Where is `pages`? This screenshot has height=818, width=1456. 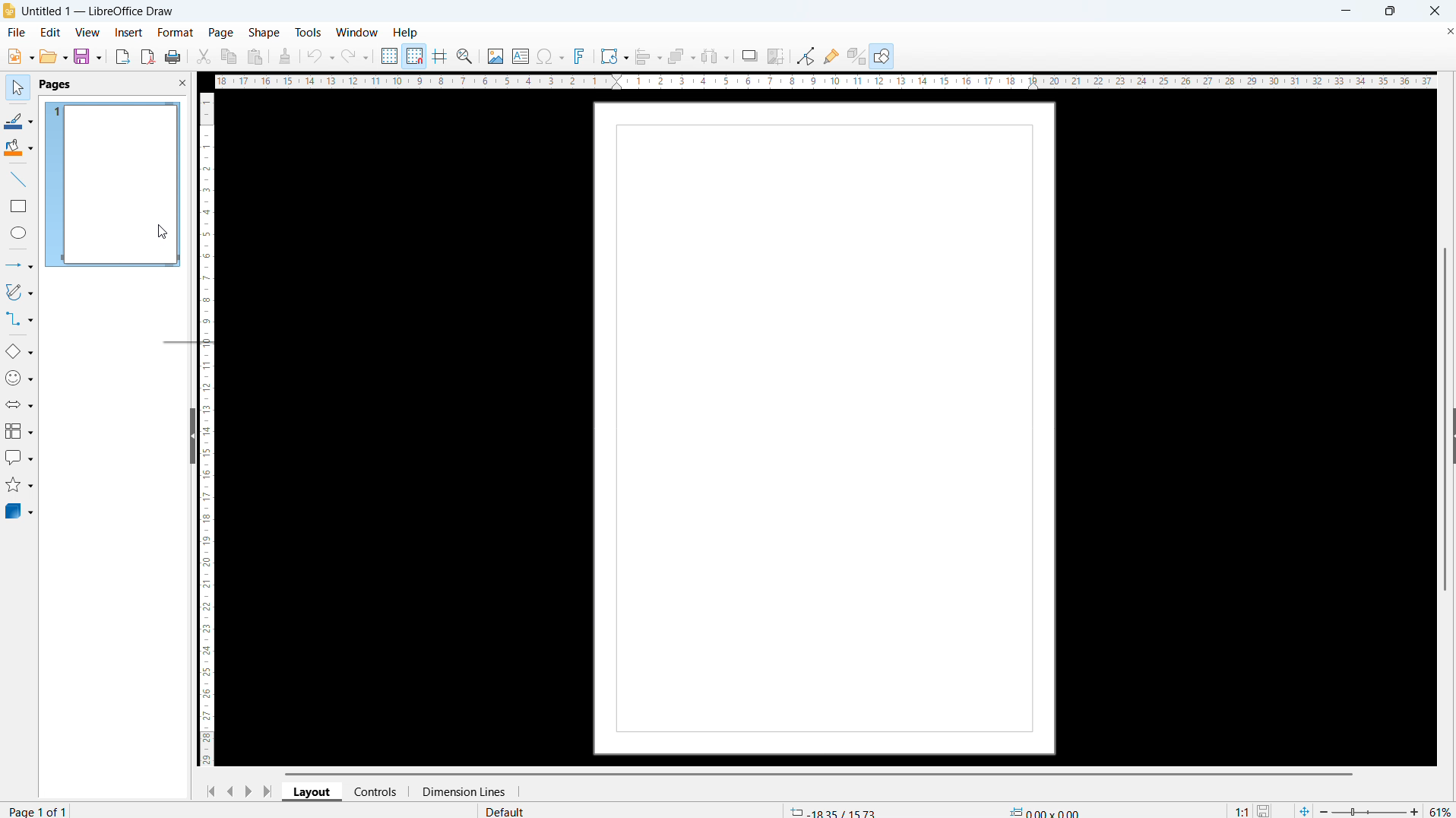 pages is located at coordinates (55, 85).